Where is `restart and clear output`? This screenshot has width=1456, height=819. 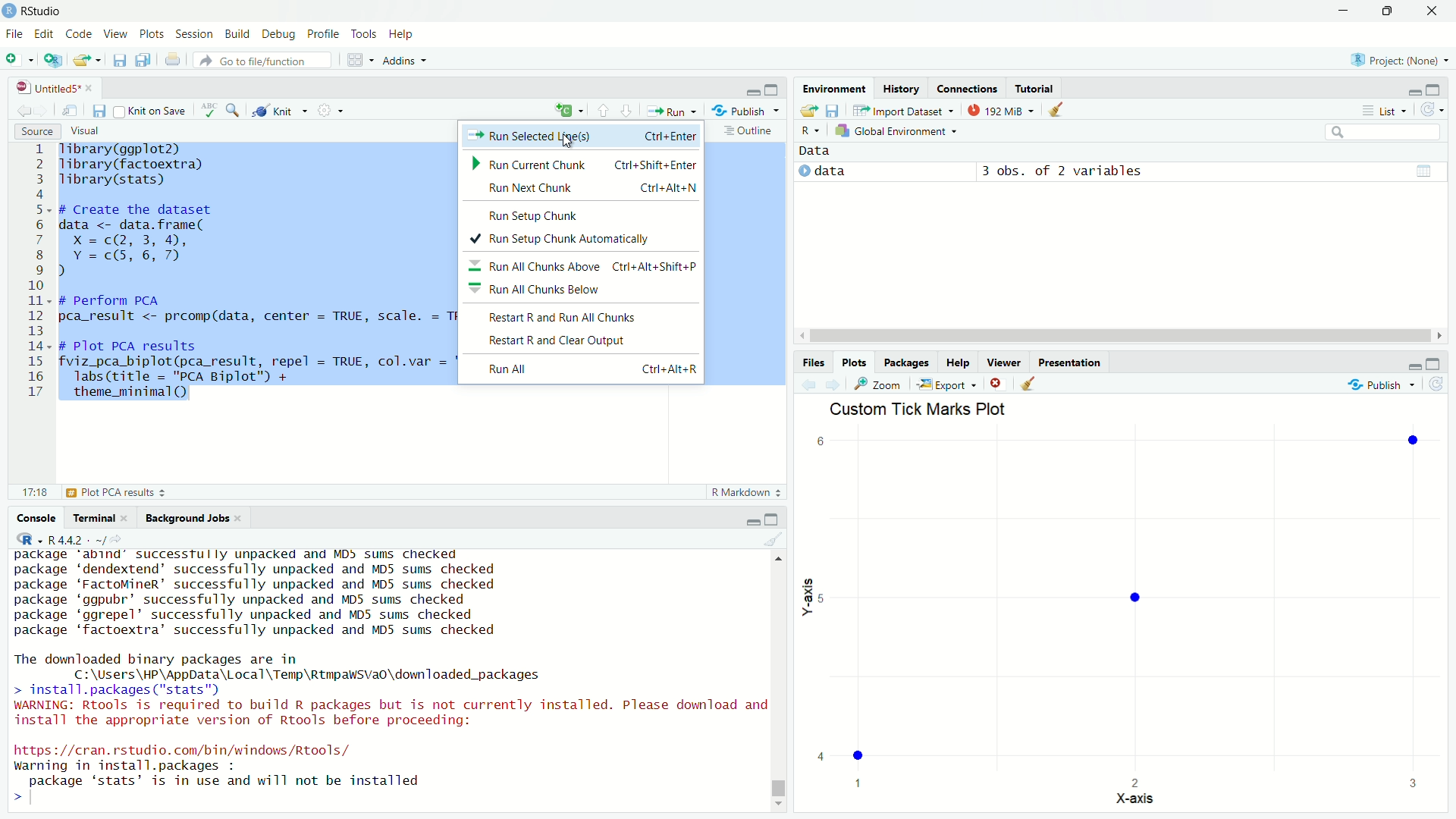
restart and clear output is located at coordinates (582, 339).